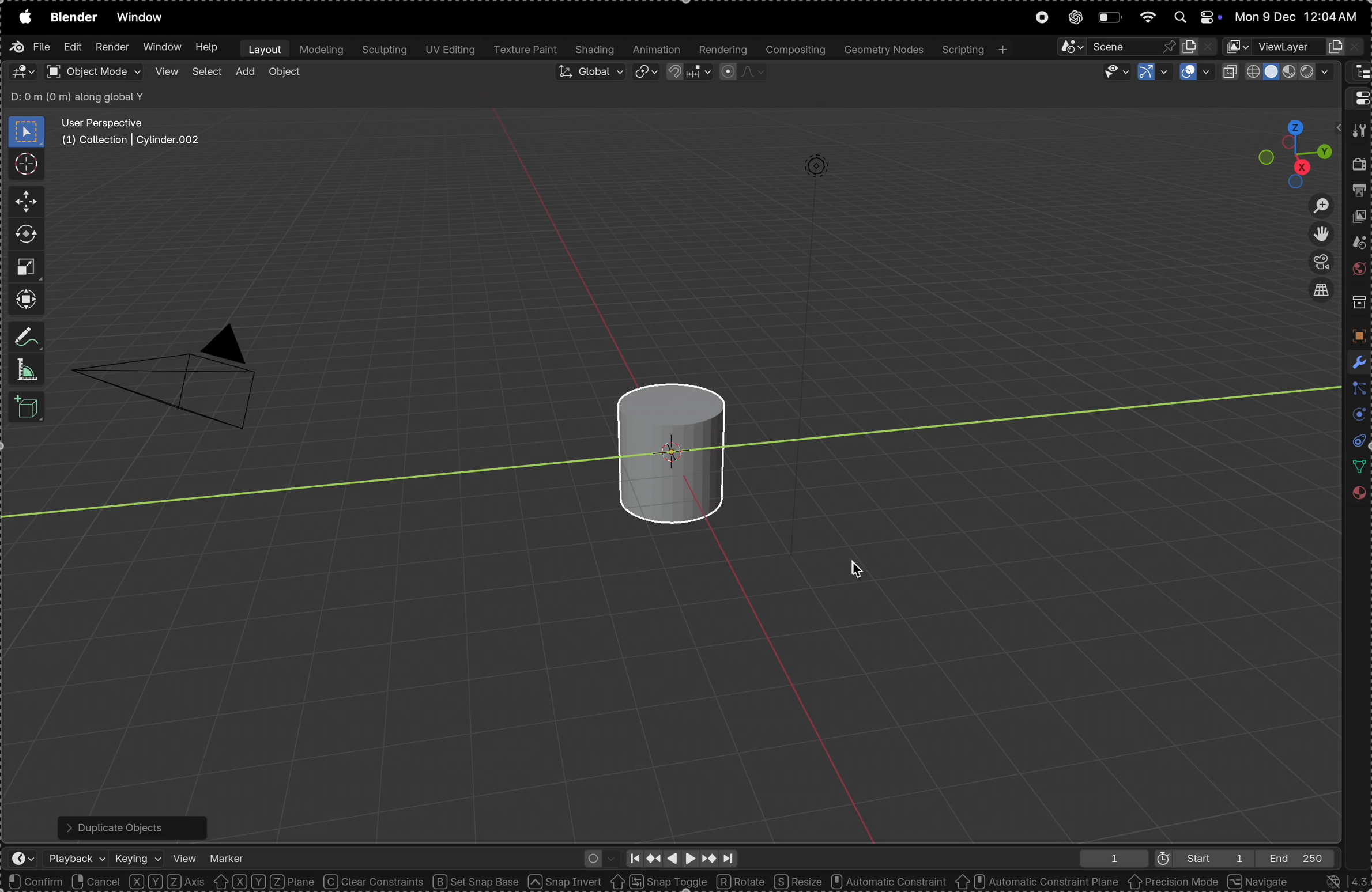 This screenshot has height=892, width=1372. What do you see at coordinates (1356, 390) in the screenshot?
I see `particles` at bounding box center [1356, 390].